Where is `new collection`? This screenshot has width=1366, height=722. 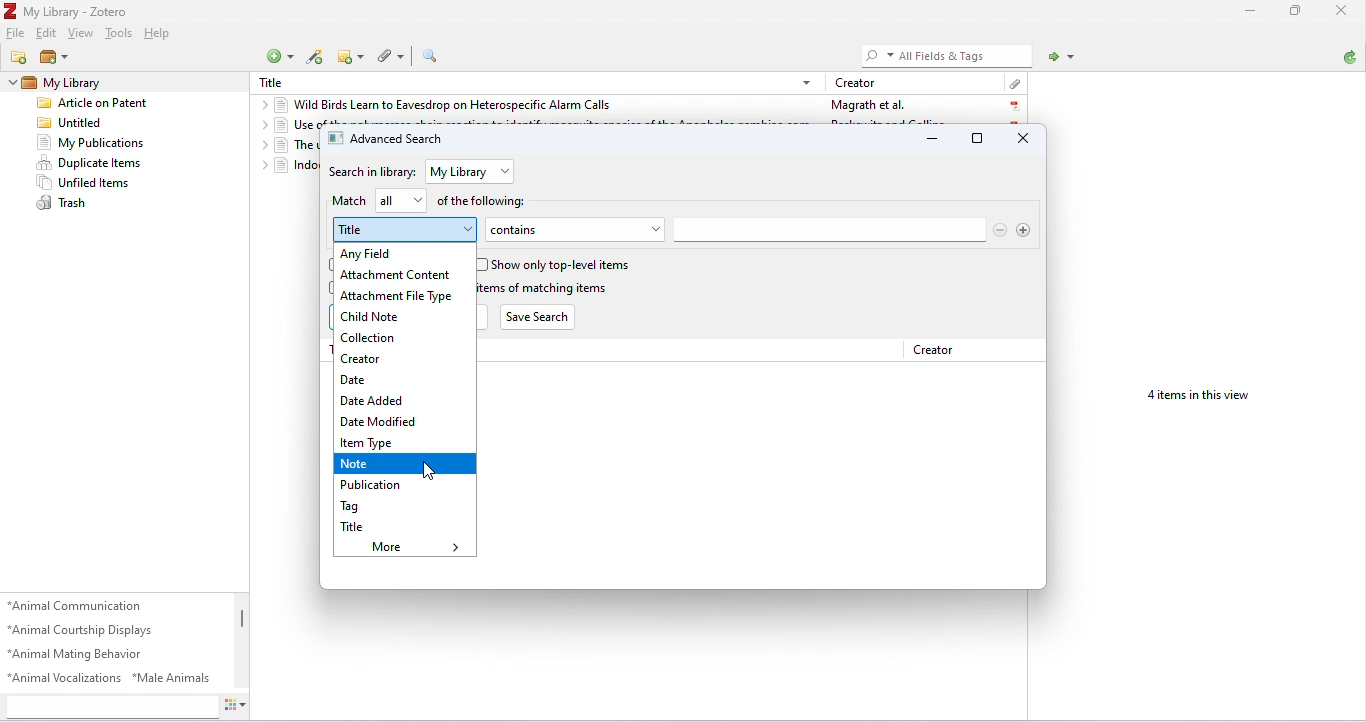
new collection is located at coordinates (20, 57).